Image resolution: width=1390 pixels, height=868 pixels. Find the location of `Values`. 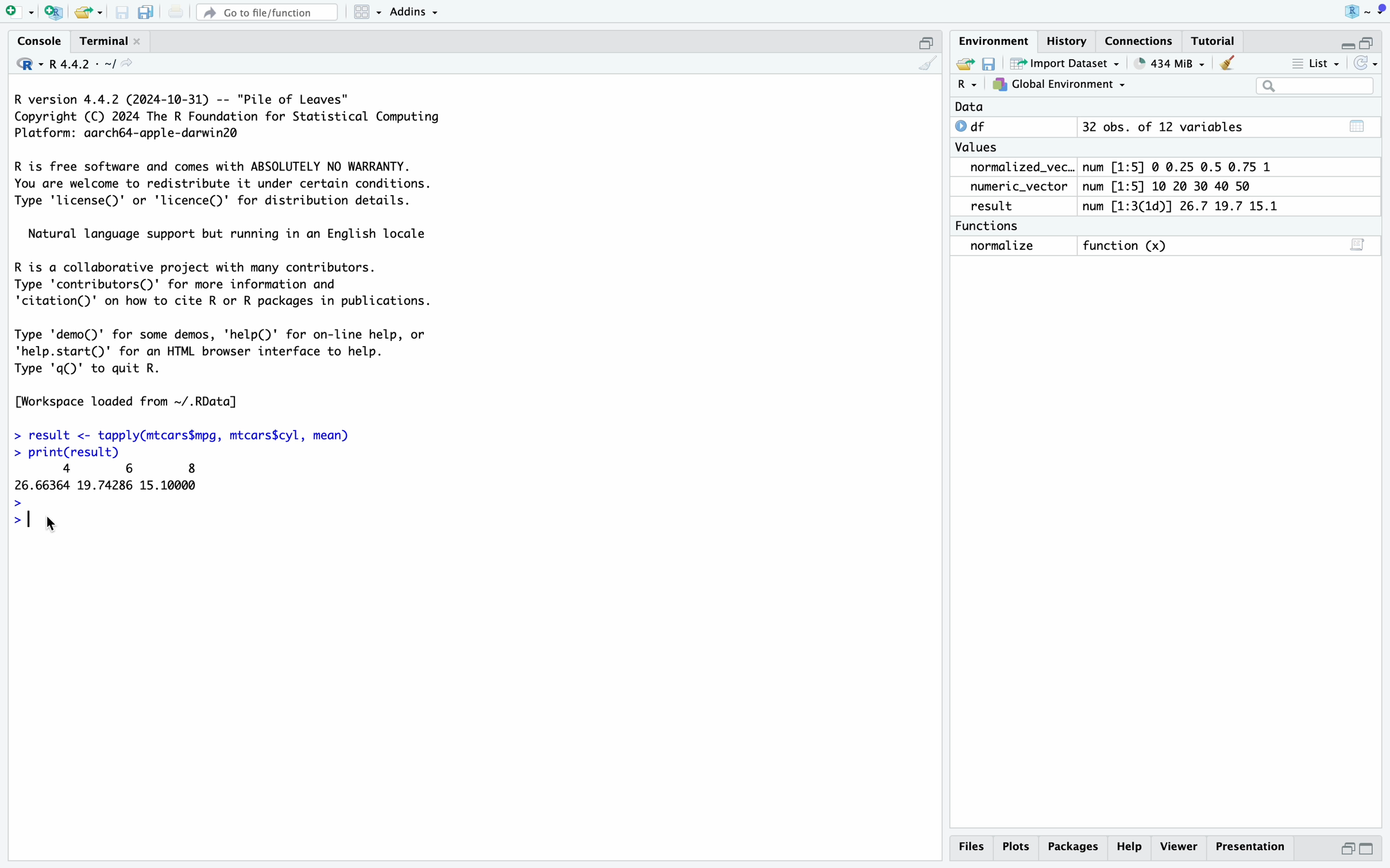

Values is located at coordinates (976, 148).